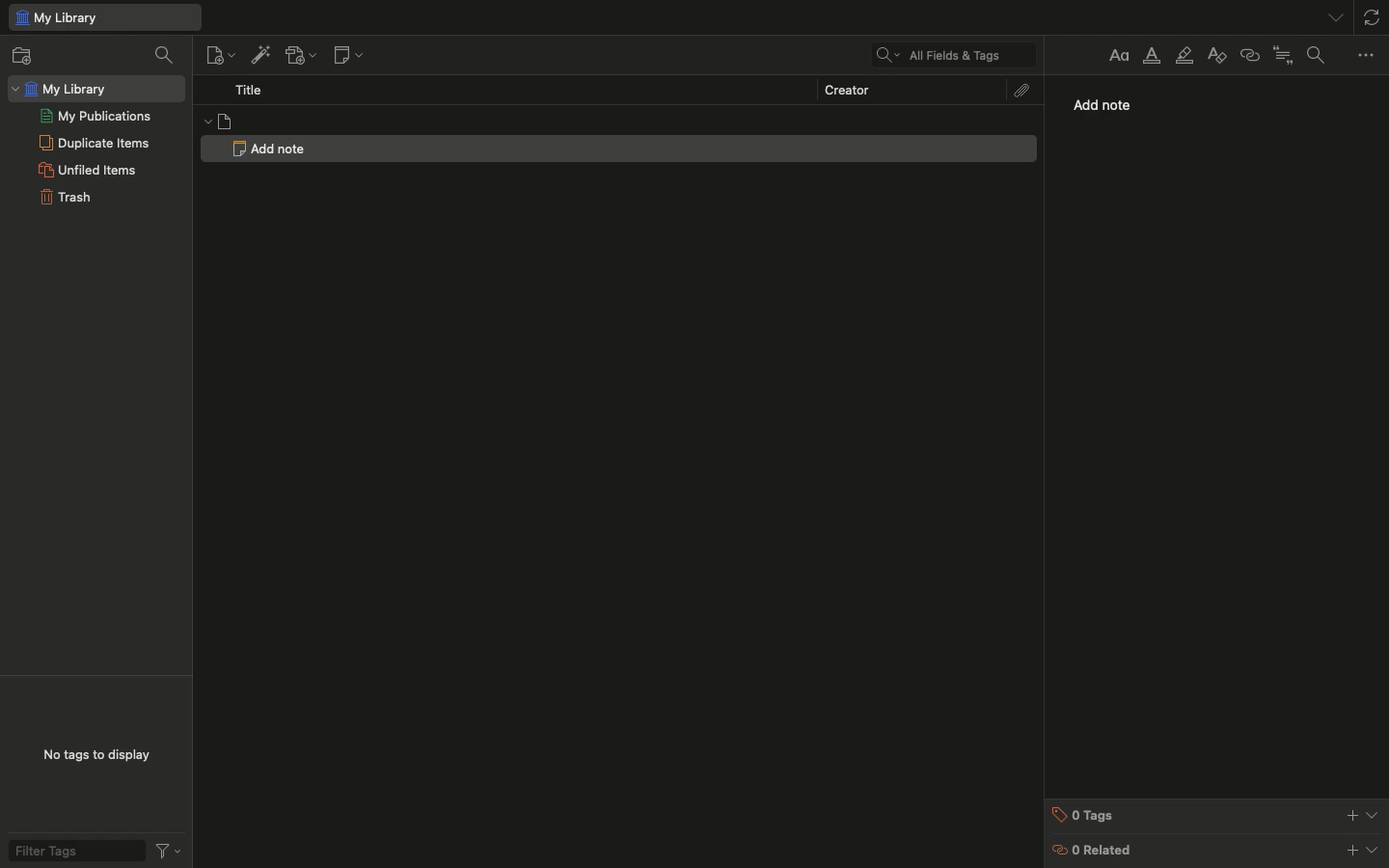  What do you see at coordinates (351, 54) in the screenshot?
I see `New note` at bounding box center [351, 54].